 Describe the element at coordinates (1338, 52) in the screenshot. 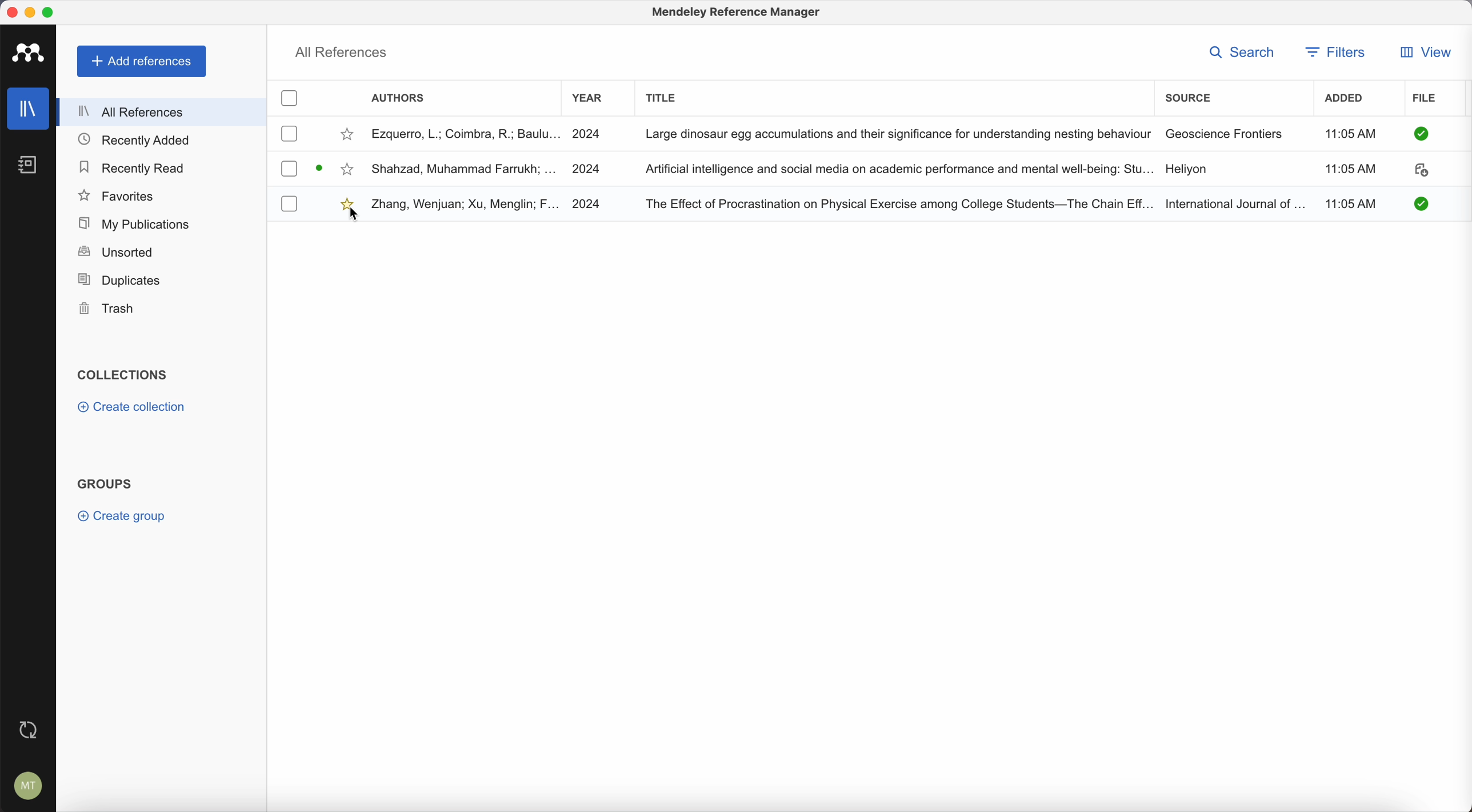

I see `filters` at that location.